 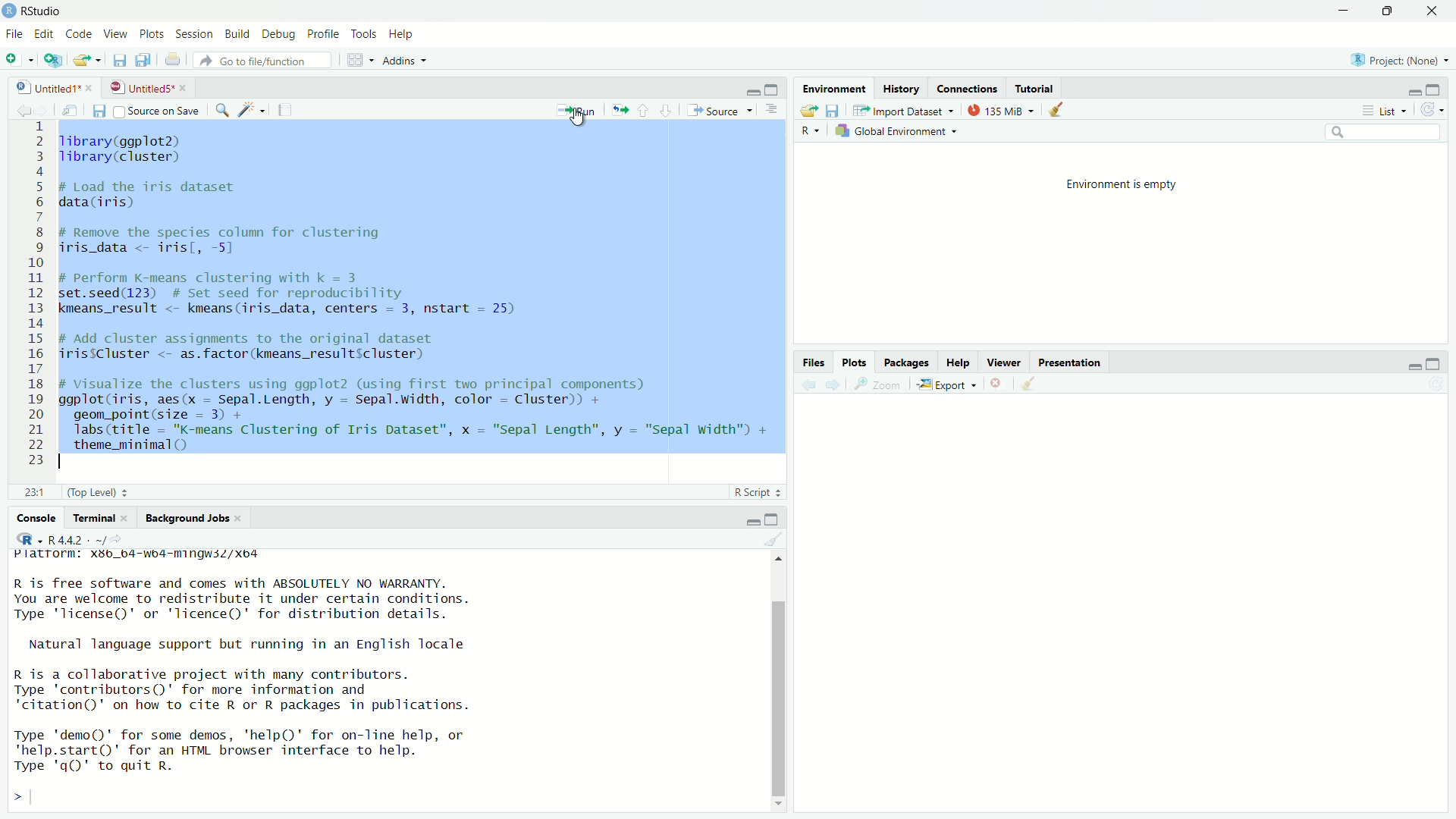 What do you see at coordinates (268, 348) in the screenshot?
I see `# Add cluster assignments to the original dataset  irisiCluster <- as.factor(kmeans_resultScluster)` at bounding box center [268, 348].